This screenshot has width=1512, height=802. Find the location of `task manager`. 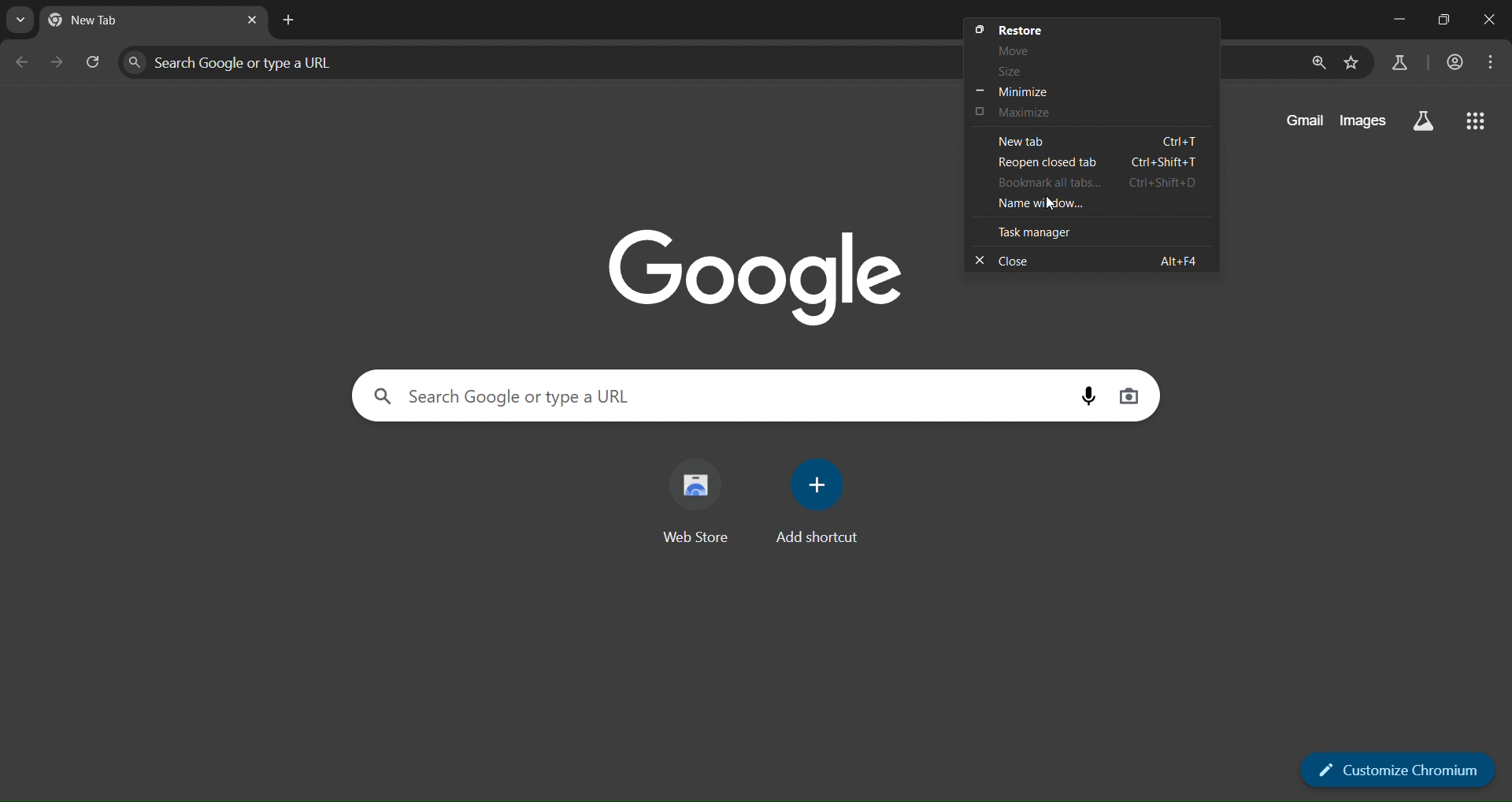

task manager is located at coordinates (1039, 232).